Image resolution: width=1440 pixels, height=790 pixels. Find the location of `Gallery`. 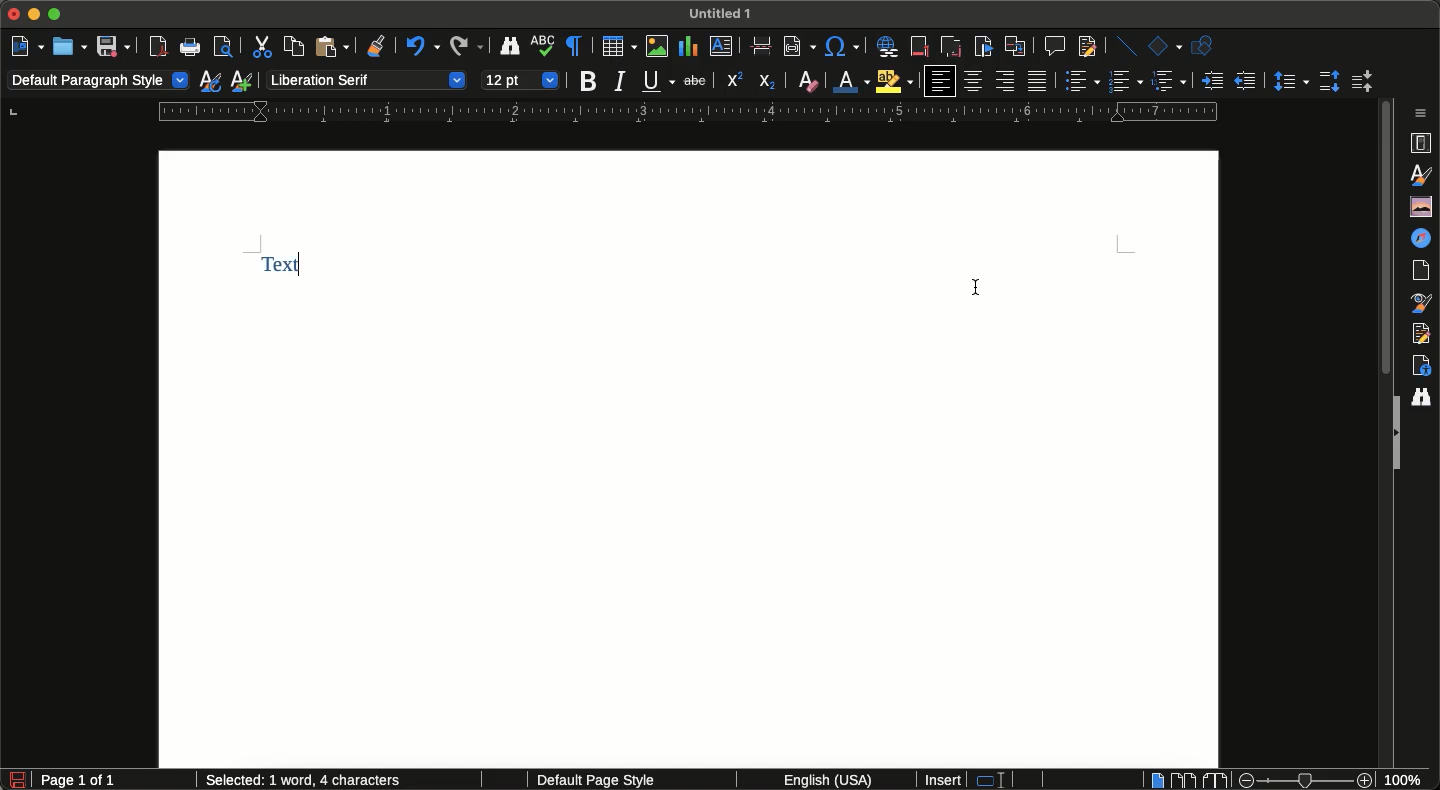

Gallery is located at coordinates (1424, 206).